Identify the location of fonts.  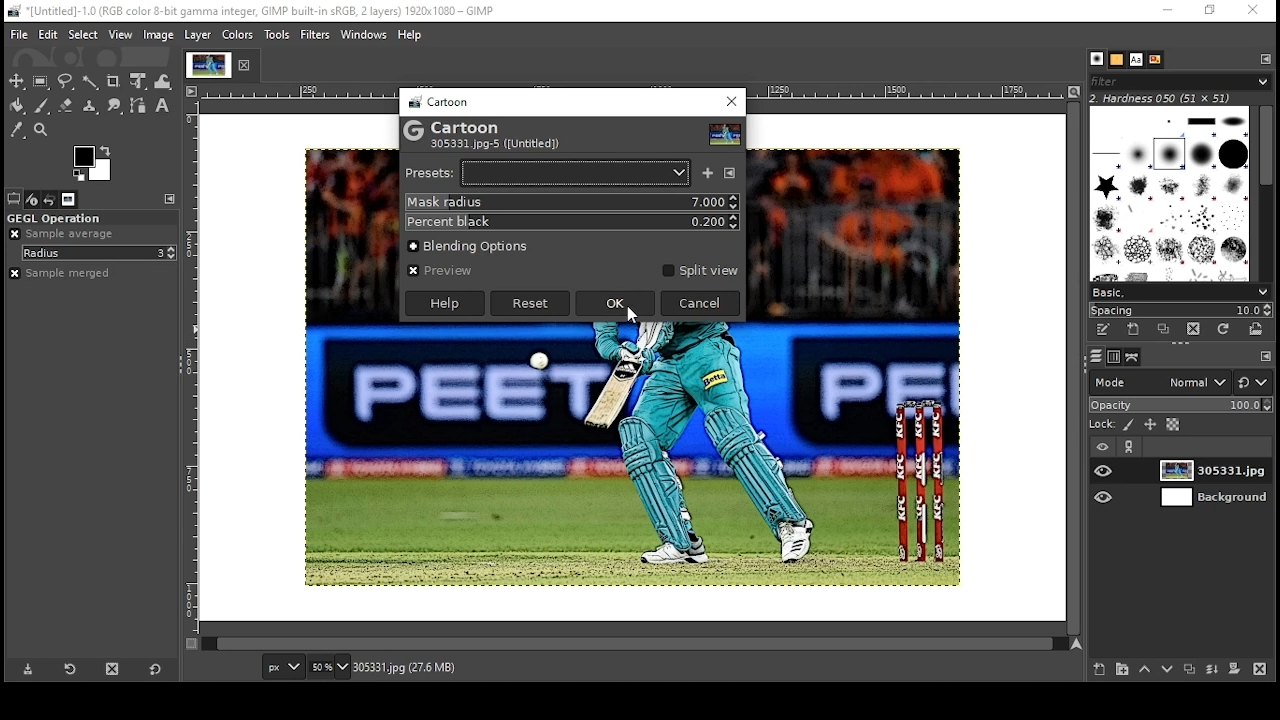
(1136, 60).